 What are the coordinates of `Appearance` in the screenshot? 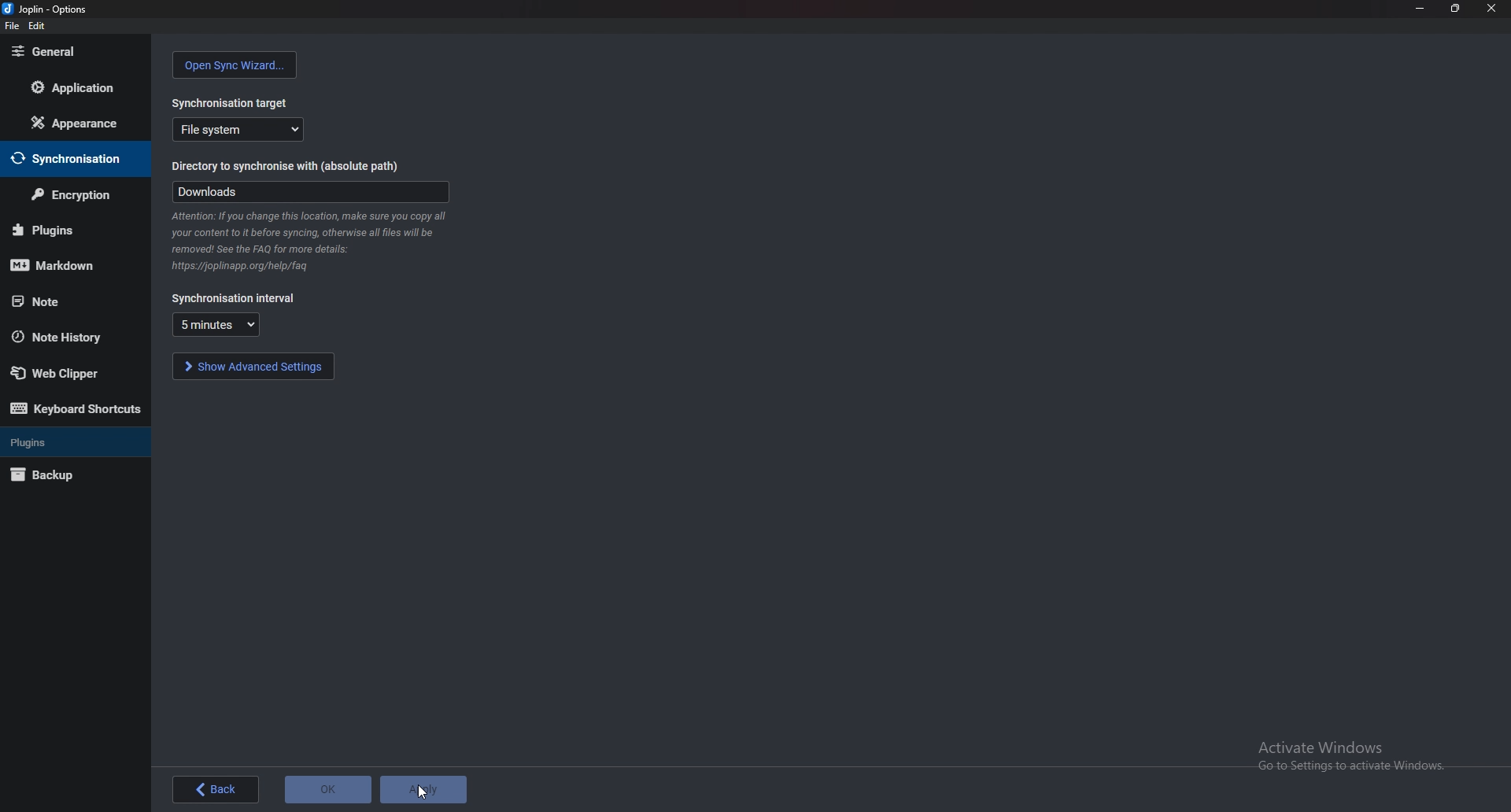 It's located at (70, 123).